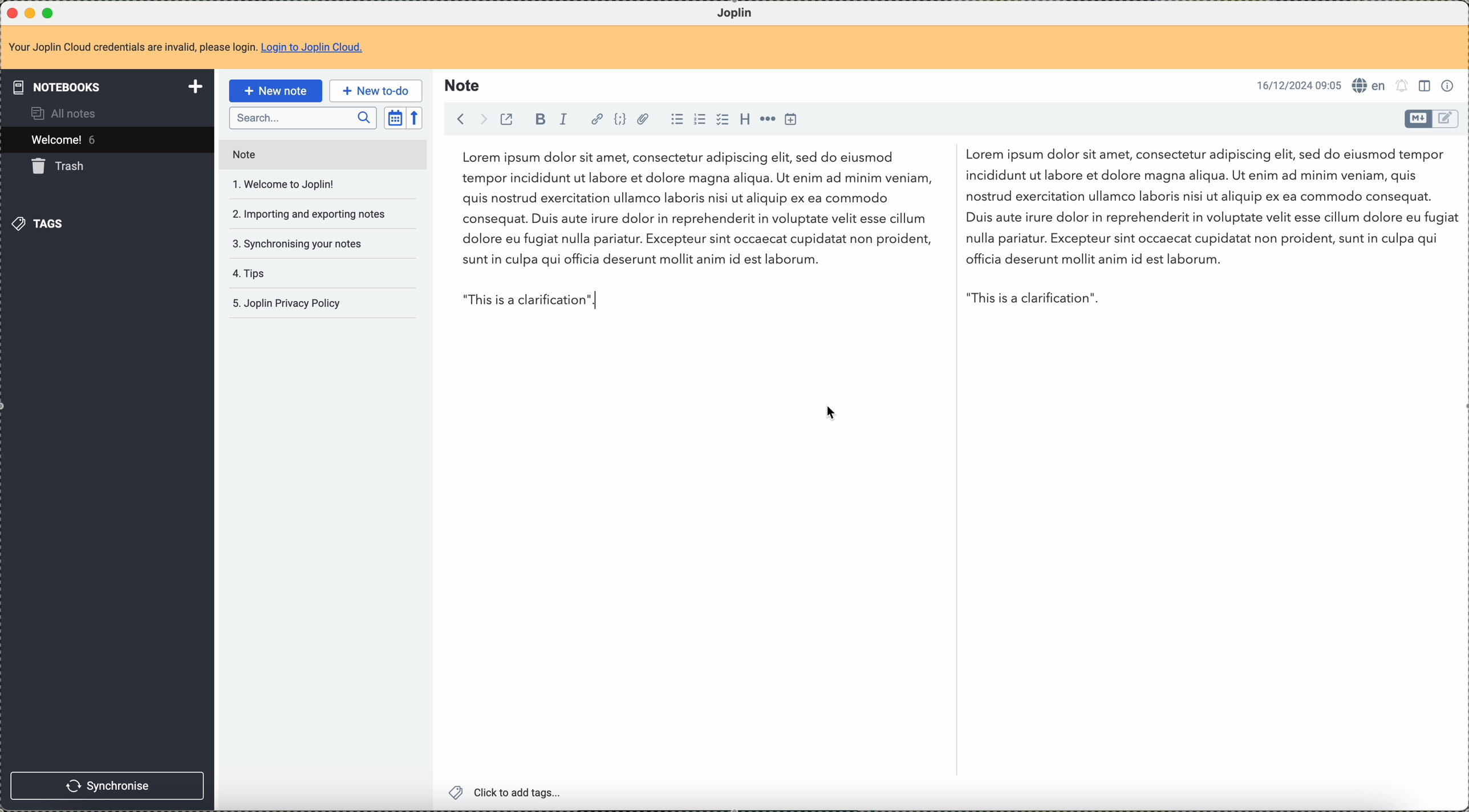 The image size is (1469, 812). What do you see at coordinates (1418, 119) in the screenshot?
I see `toggle editor` at bounding box center [1418, 119].